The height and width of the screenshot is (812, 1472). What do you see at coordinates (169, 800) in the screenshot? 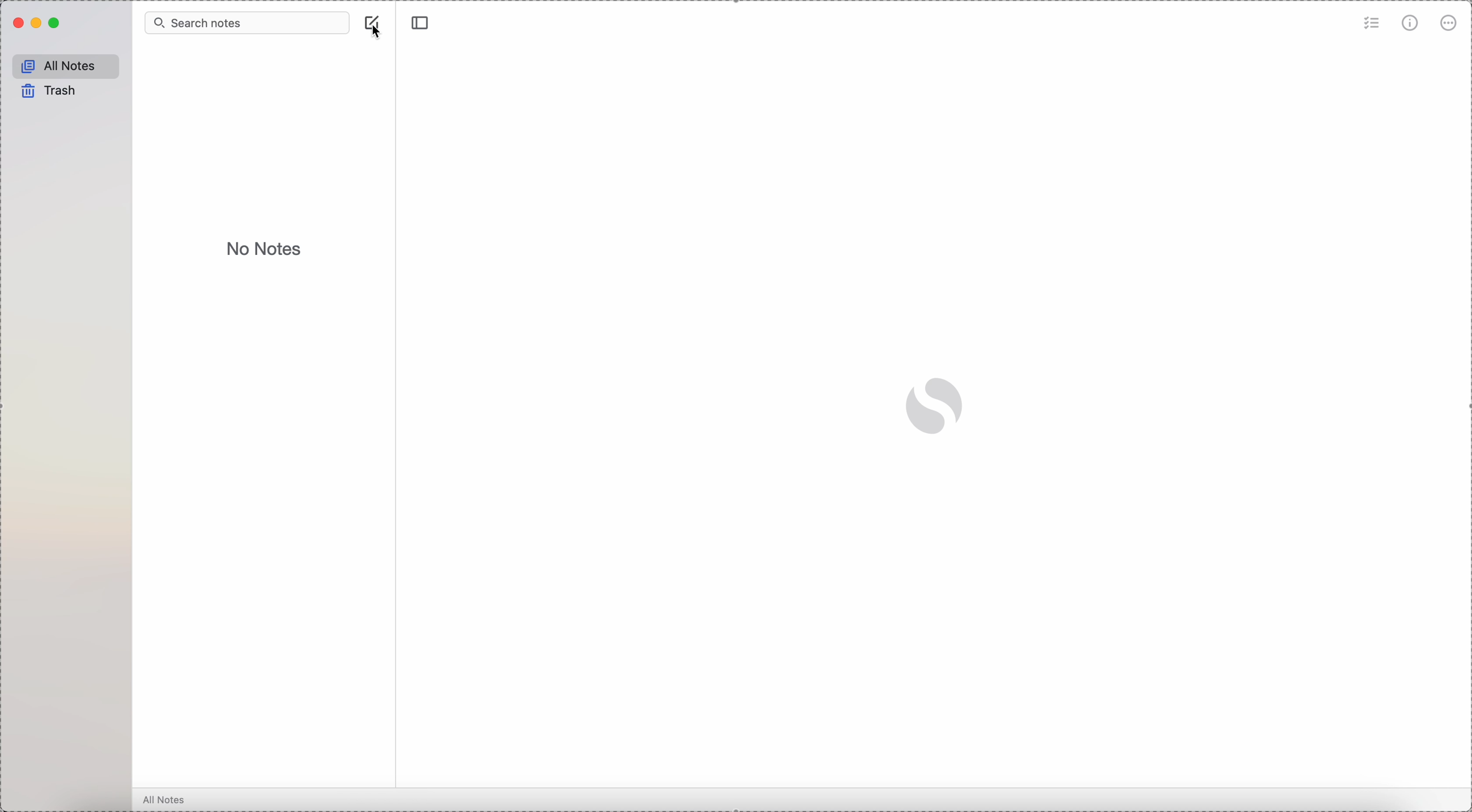
I see `all notes` at bounding box center [169, 800].